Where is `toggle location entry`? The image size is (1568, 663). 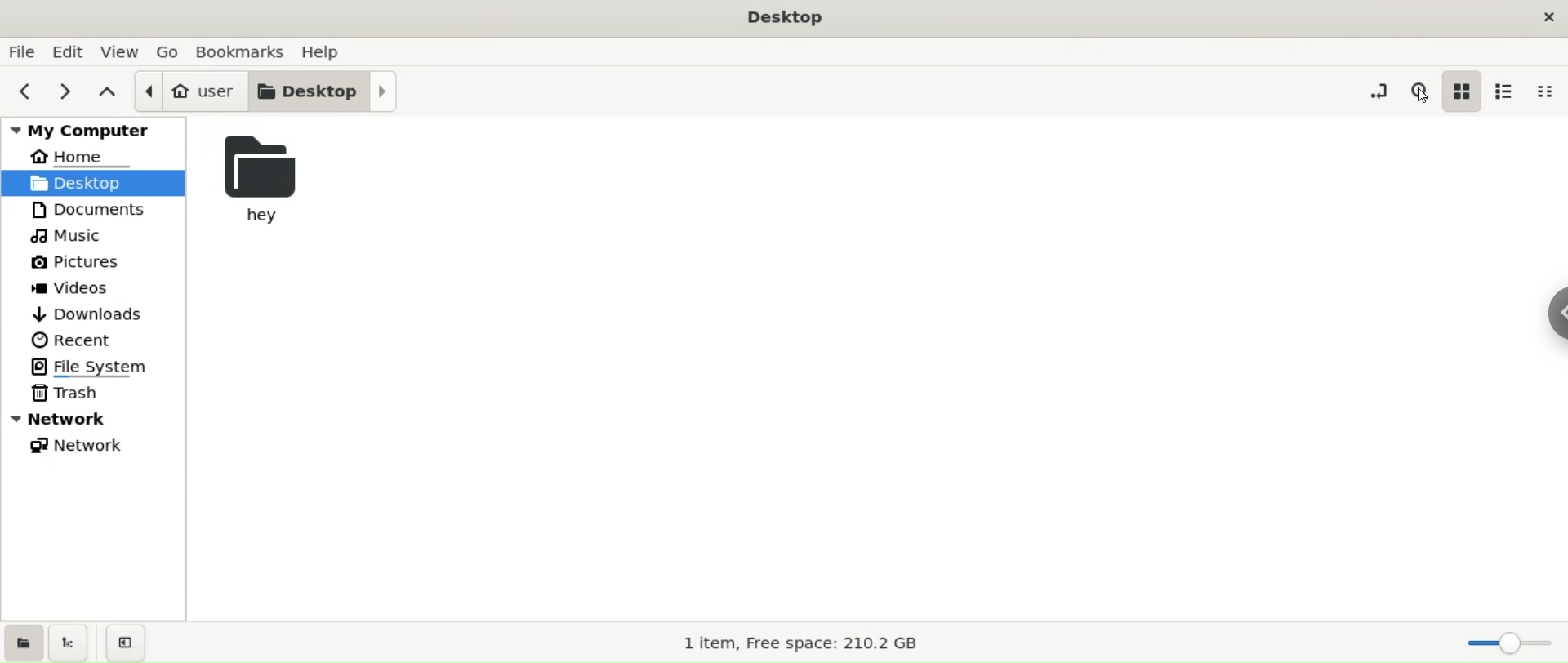
toggle location entry is located at coordinates (1373, 90).